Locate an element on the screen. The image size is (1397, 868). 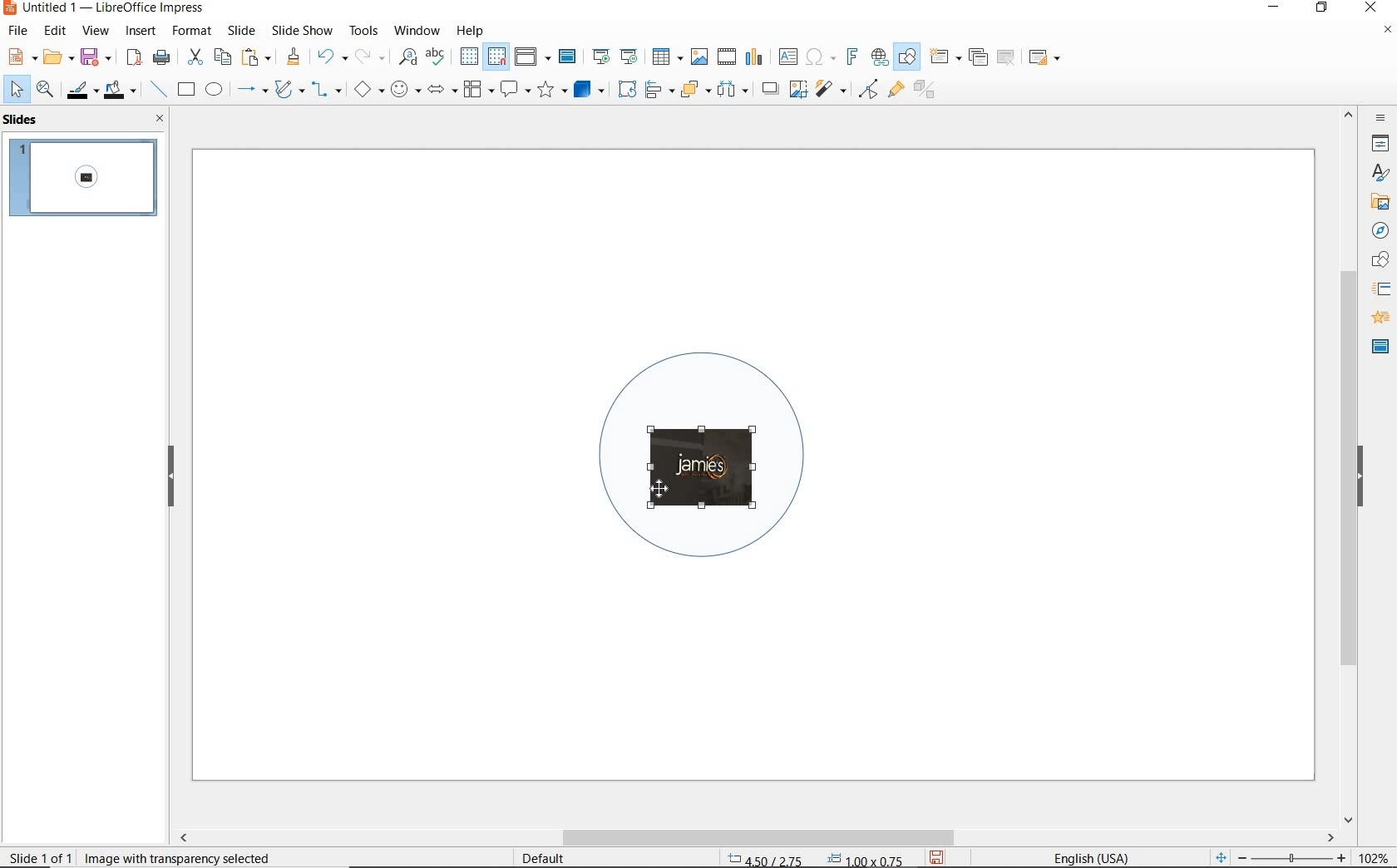
close is located at coordinates (155, 118).